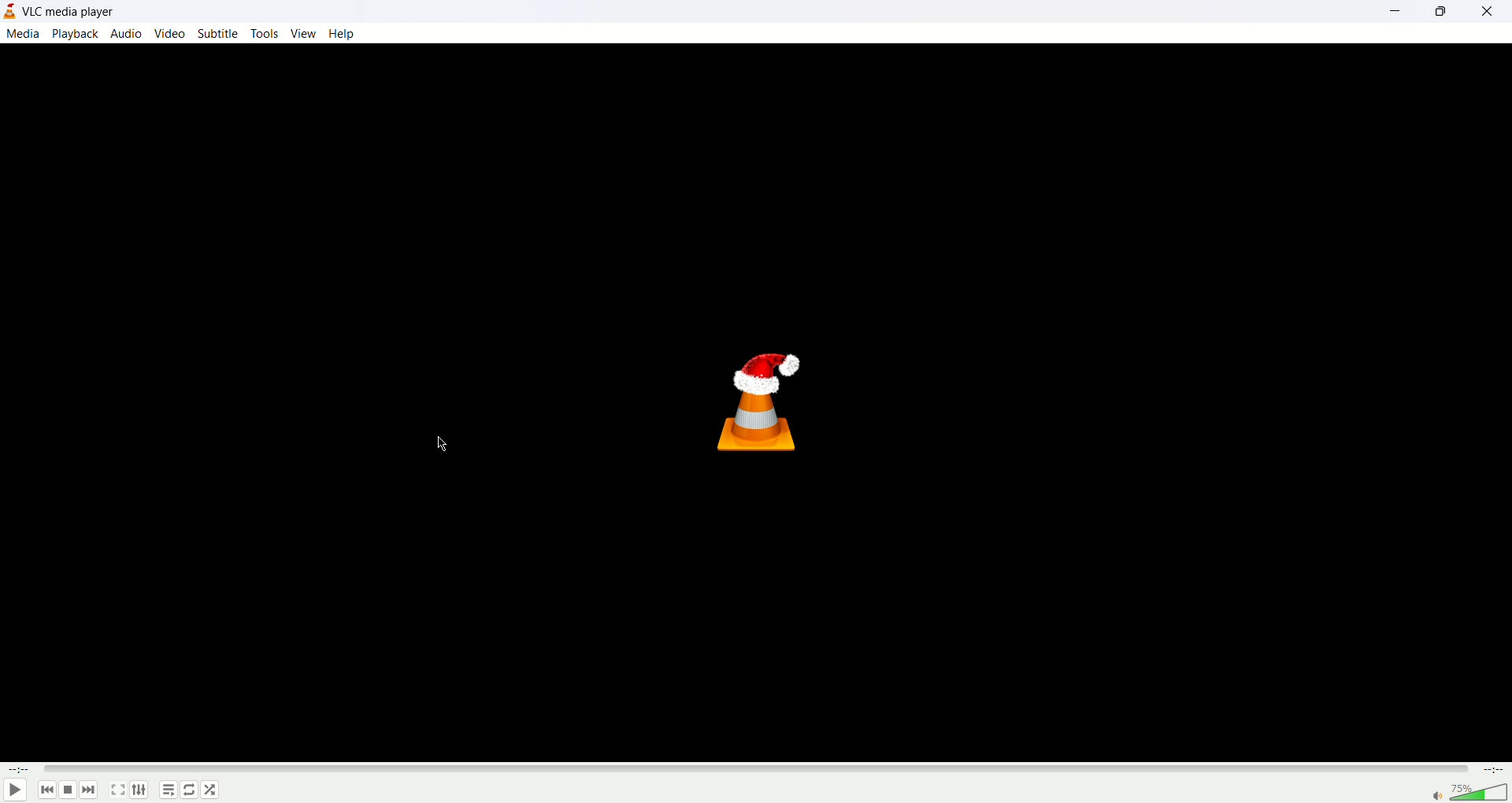  What do you see at coordinates (1433, 796) in the screenshot?
I see `mute/unmute` at bounding box center [1433, 796].